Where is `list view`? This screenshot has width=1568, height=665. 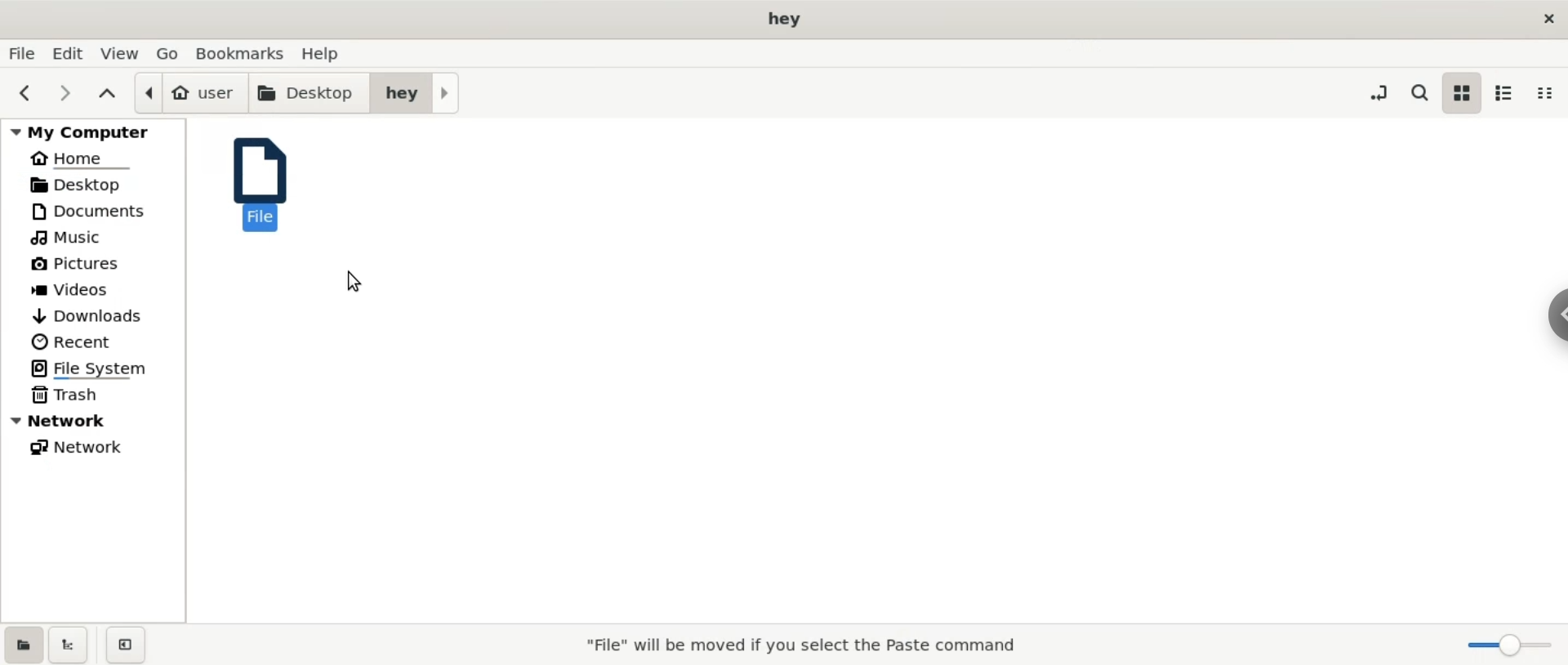
list view is located at coordinates (1506, 91).